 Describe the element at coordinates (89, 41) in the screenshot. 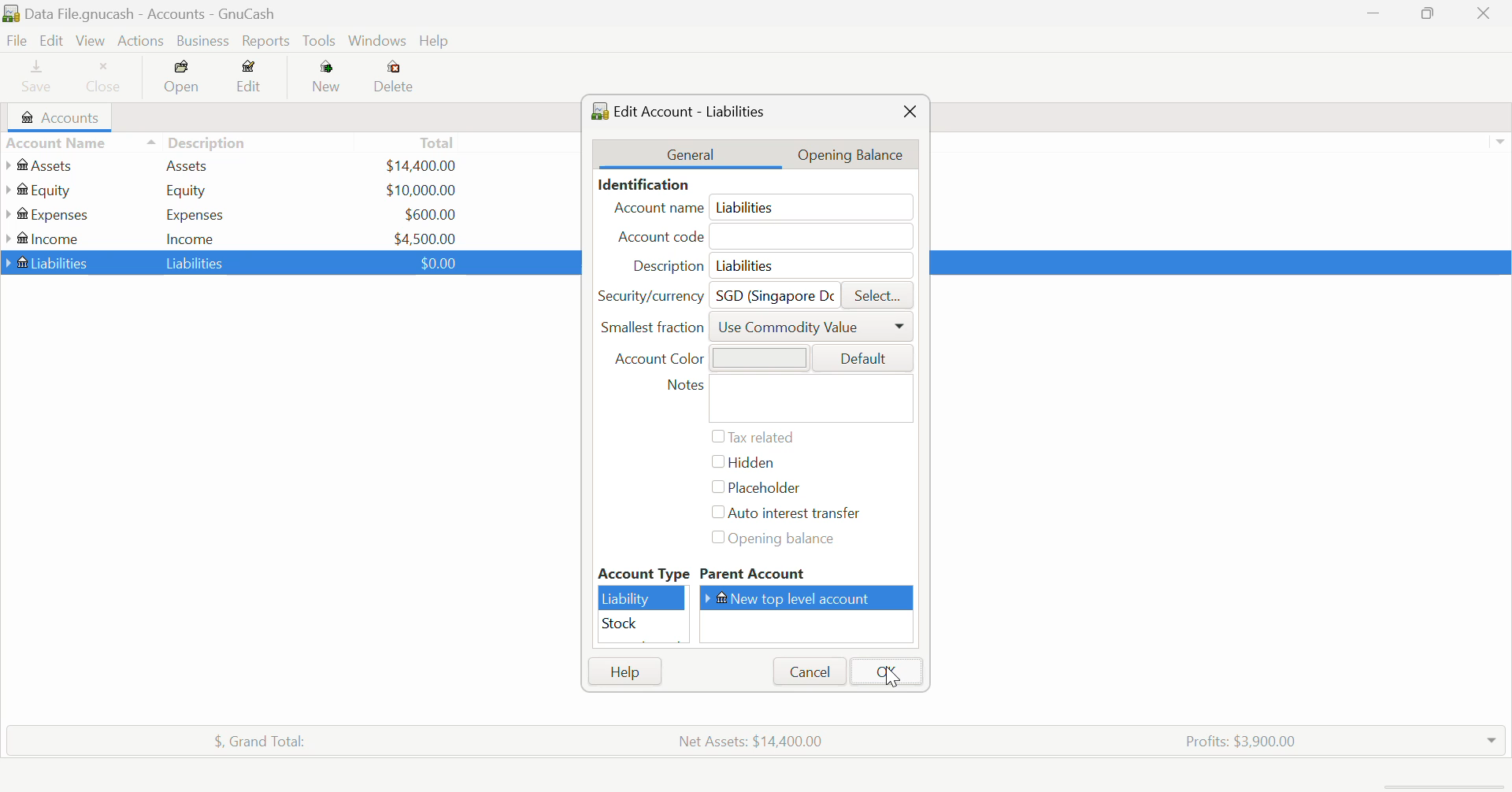

I see `View` at that location.